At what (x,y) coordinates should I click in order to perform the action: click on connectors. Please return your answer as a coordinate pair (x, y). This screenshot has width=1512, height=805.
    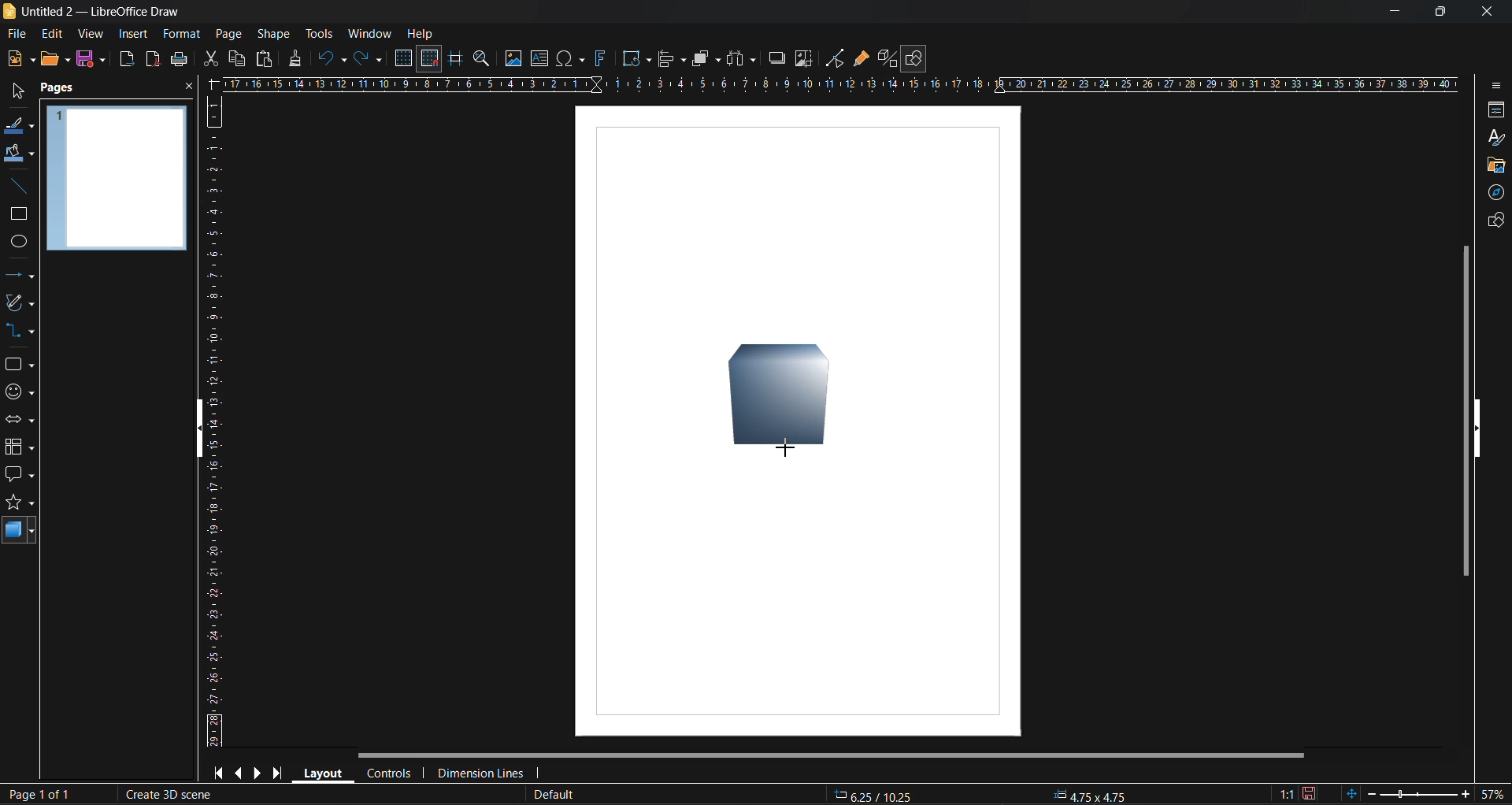
    Looking at the image, I should click on (20, 332).